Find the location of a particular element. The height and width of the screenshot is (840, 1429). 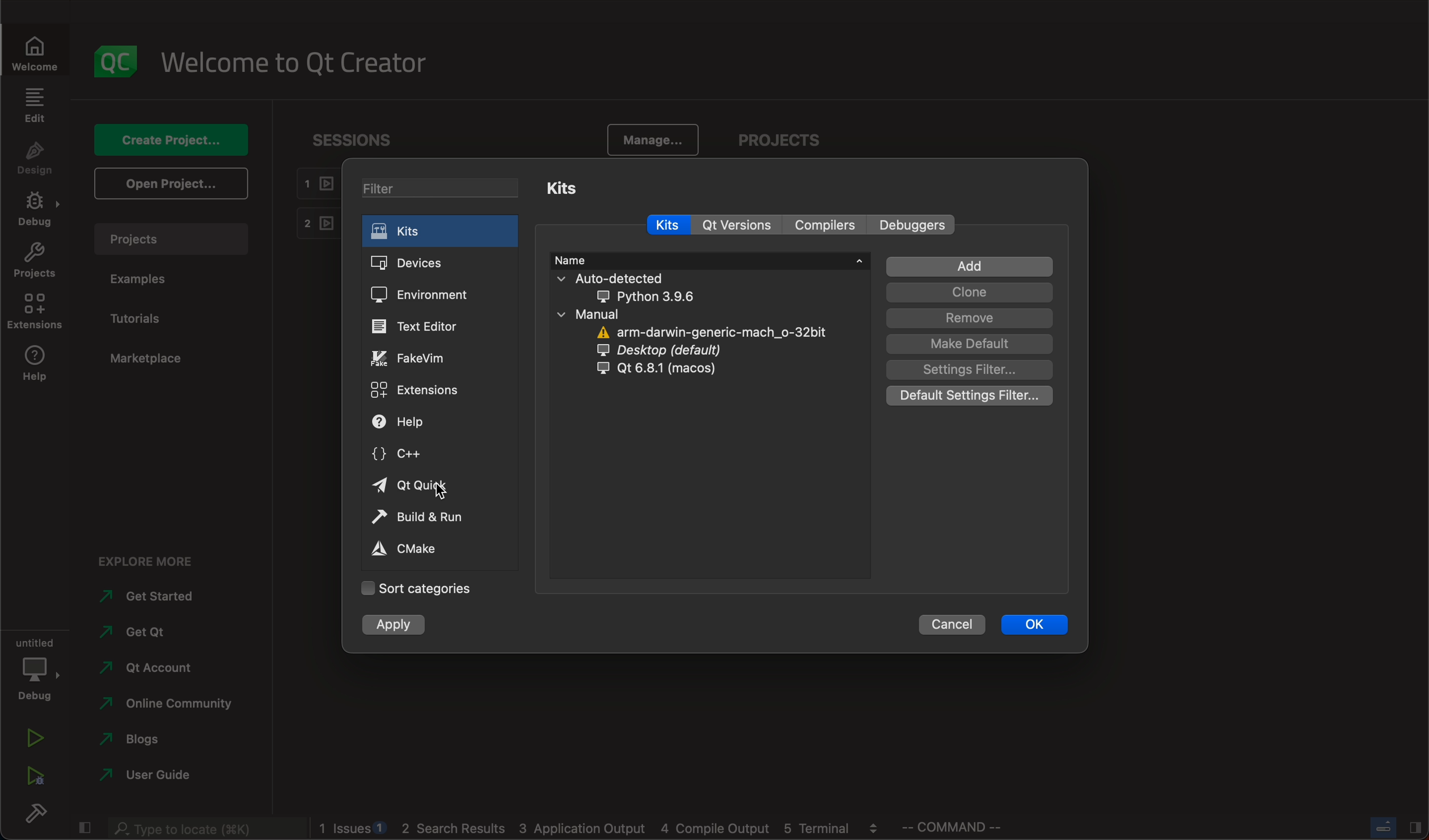

WELCOME is located at coordinates (36, 56).